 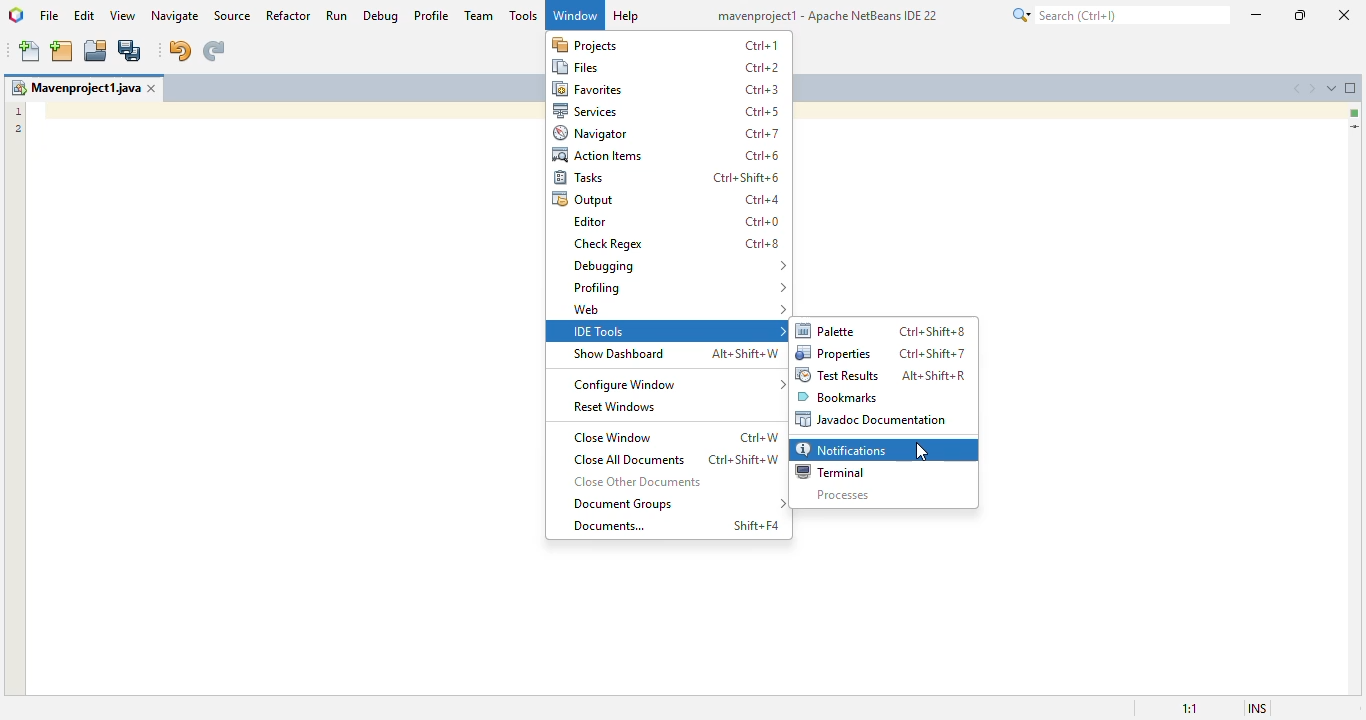 What do you see at coordinates (381, 16) in the screenshot?
I see `debug` at bounding box center [381, 16].